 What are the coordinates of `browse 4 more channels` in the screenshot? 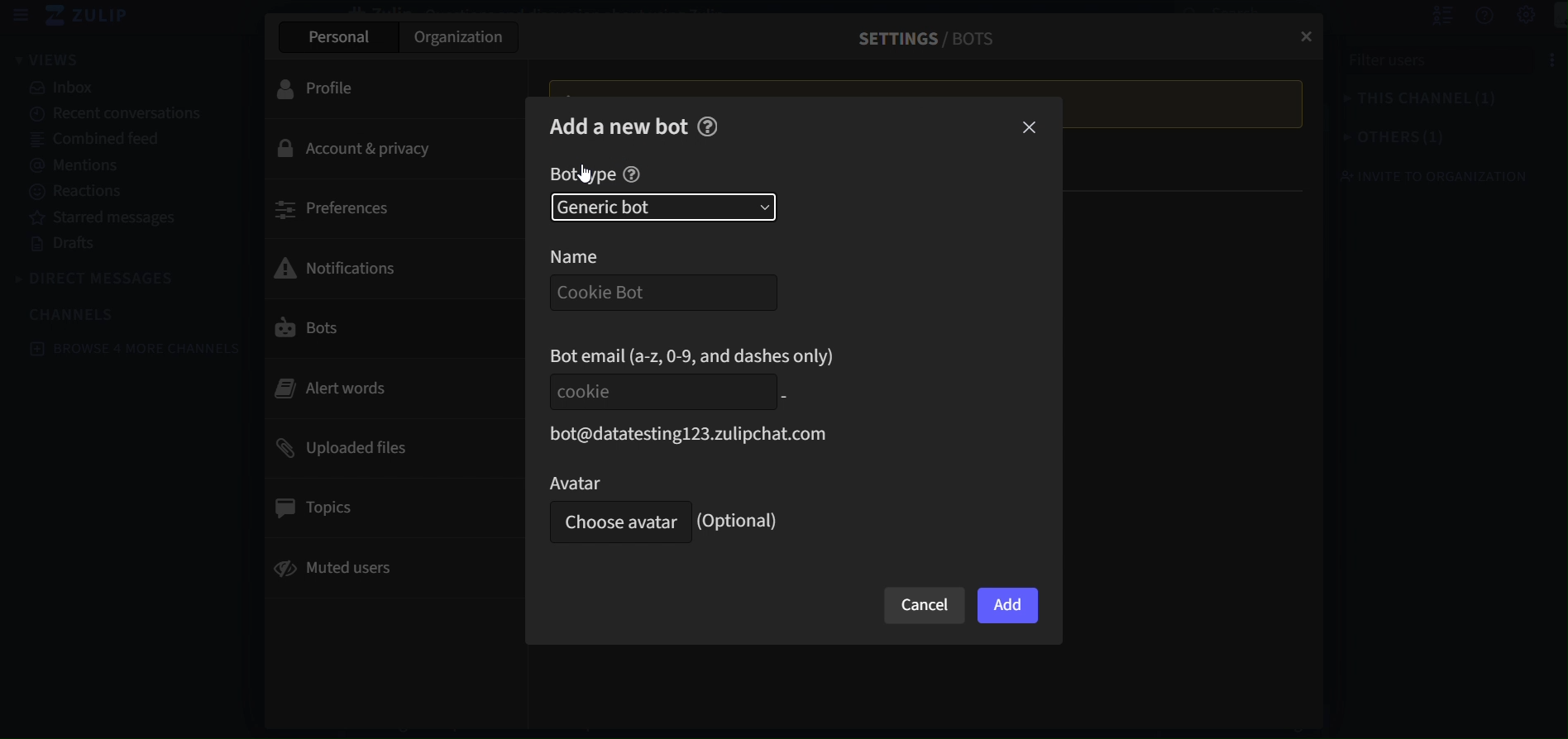 It's located at (138, 348).